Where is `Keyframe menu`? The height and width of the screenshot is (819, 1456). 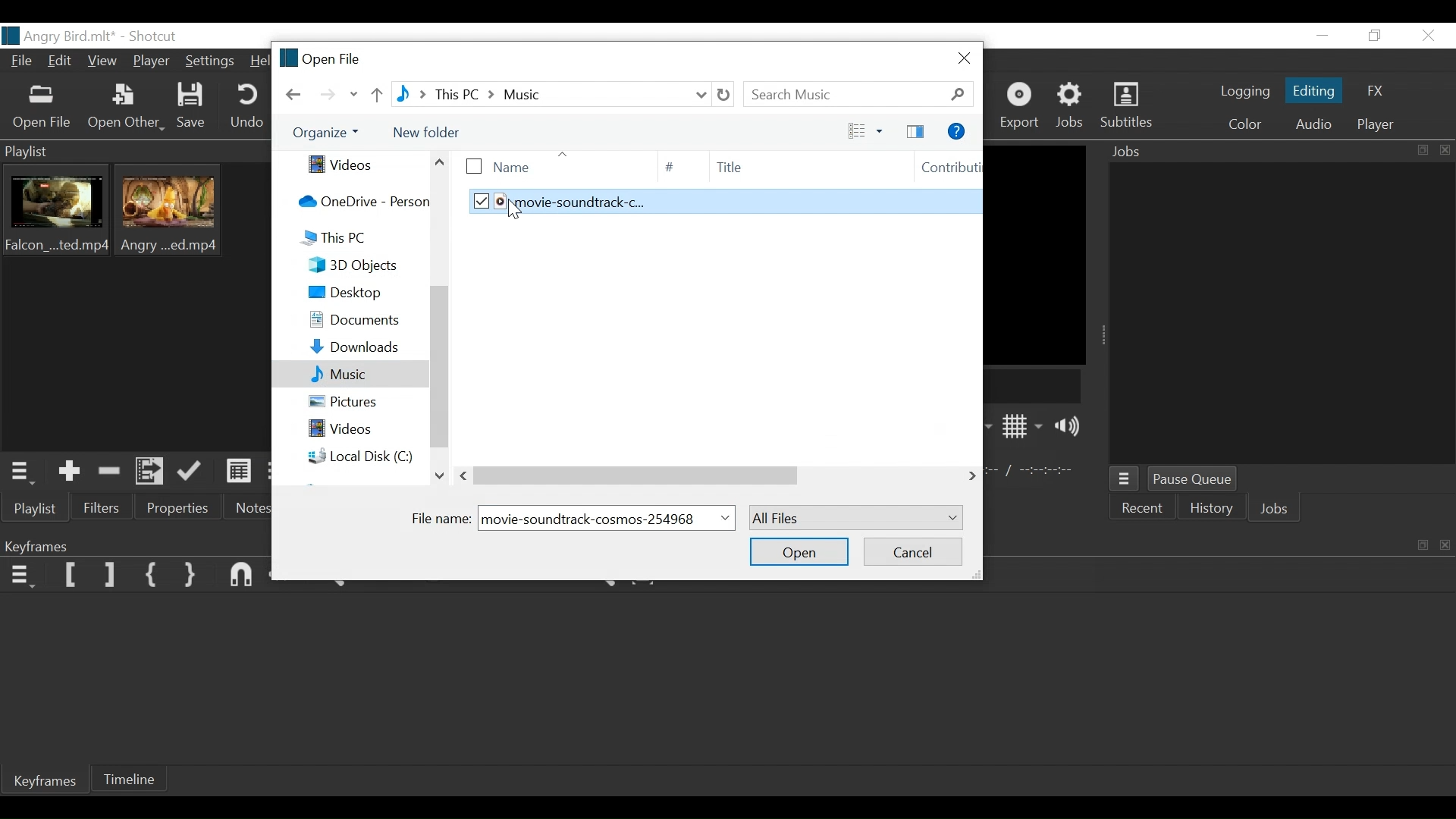 Keyframe menu is located at coordinates (20, 577).